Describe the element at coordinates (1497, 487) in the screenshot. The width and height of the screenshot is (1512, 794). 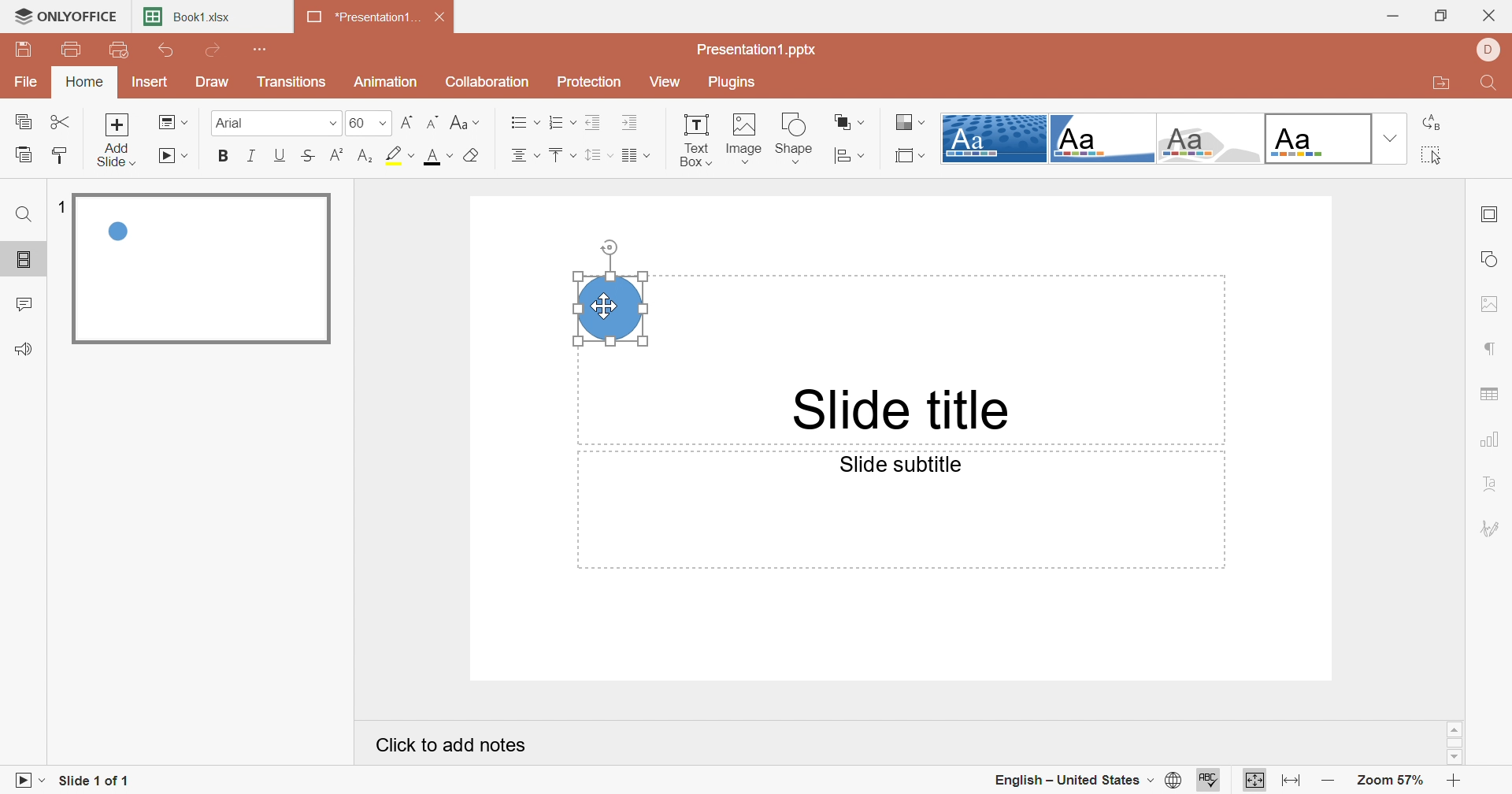
I see `Text art settings` at that location.